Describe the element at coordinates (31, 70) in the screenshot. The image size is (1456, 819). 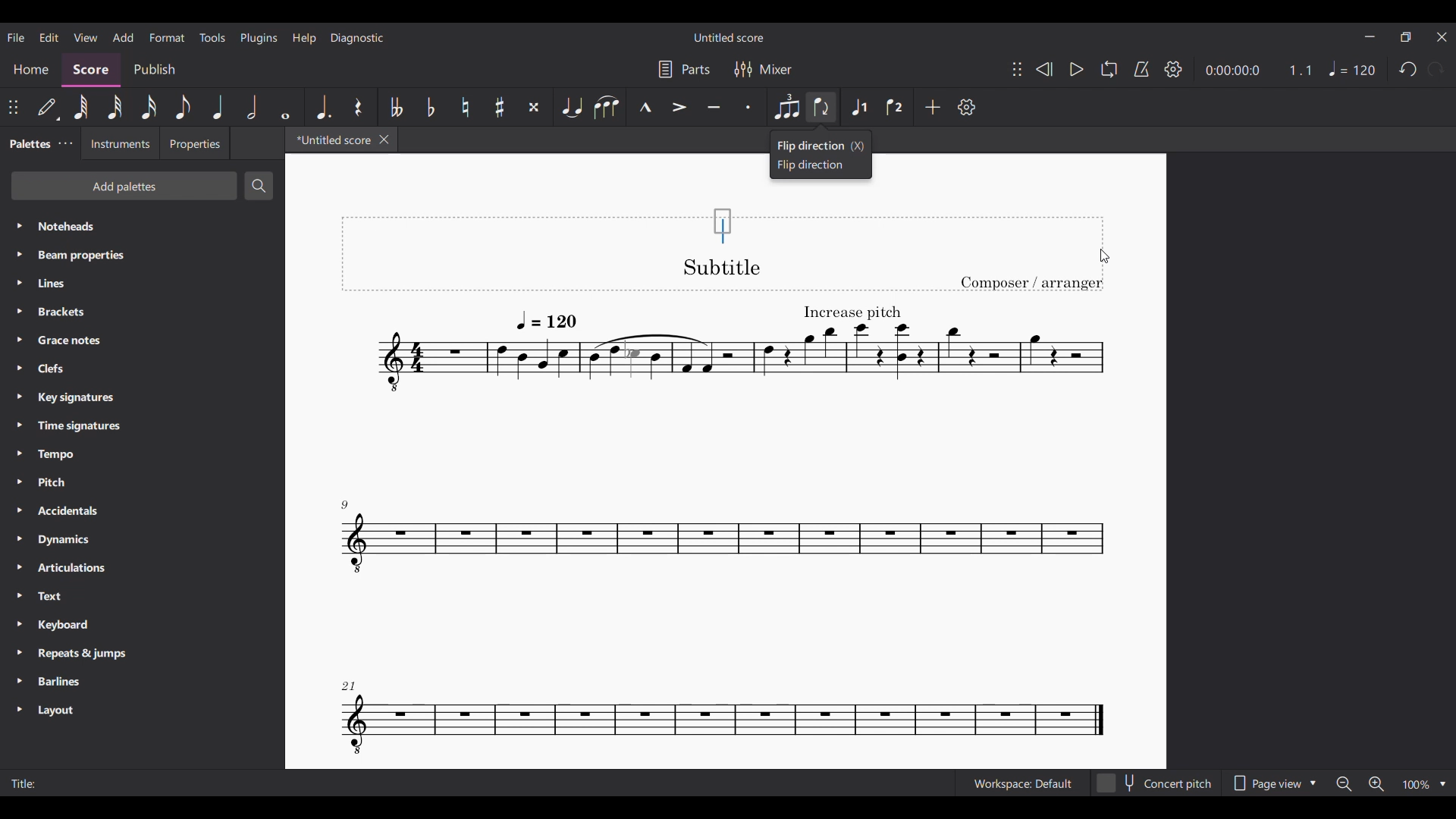
I see `Home section` at that location.